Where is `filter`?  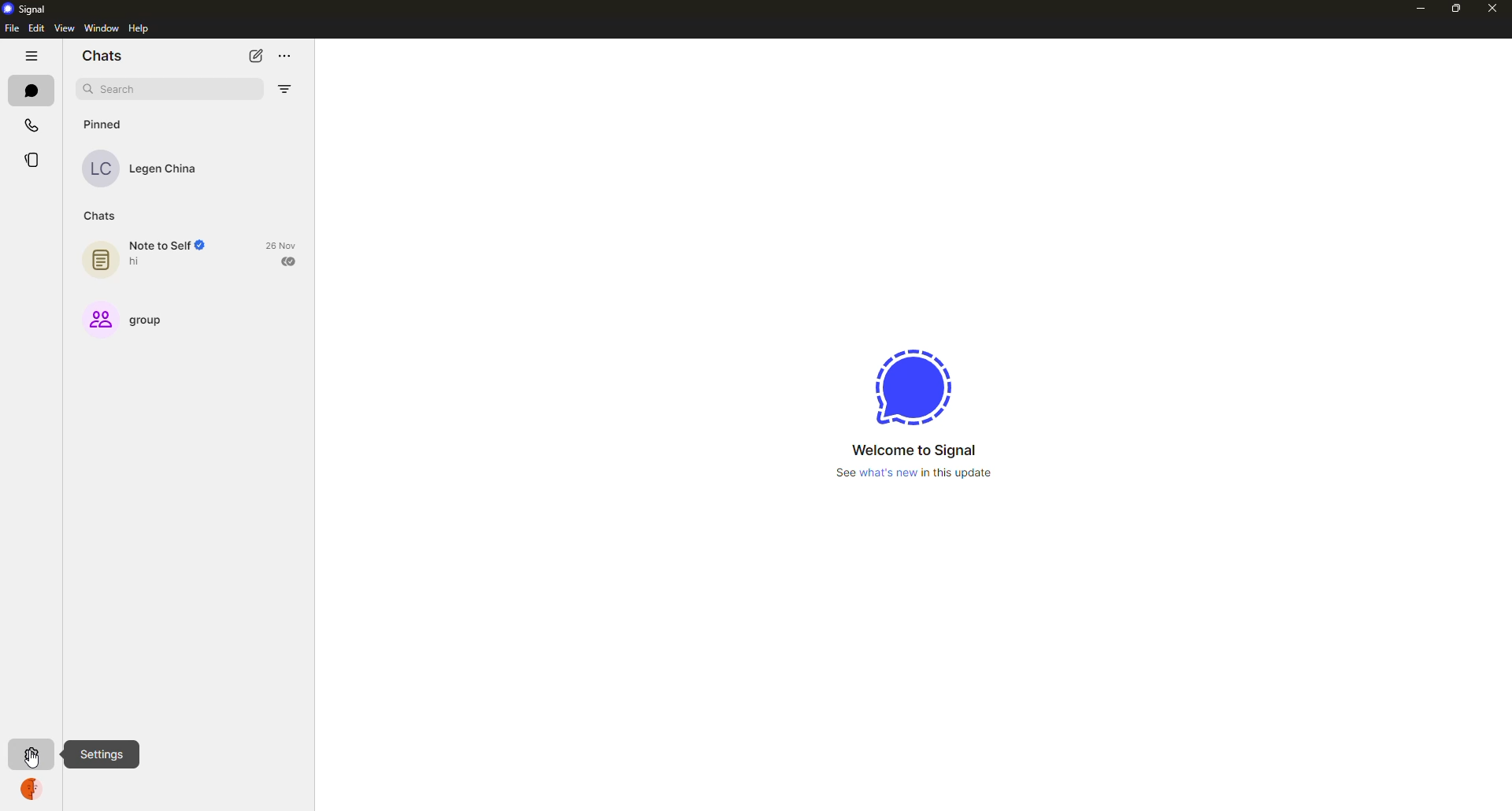 filter is located at coordinates (287, 89).